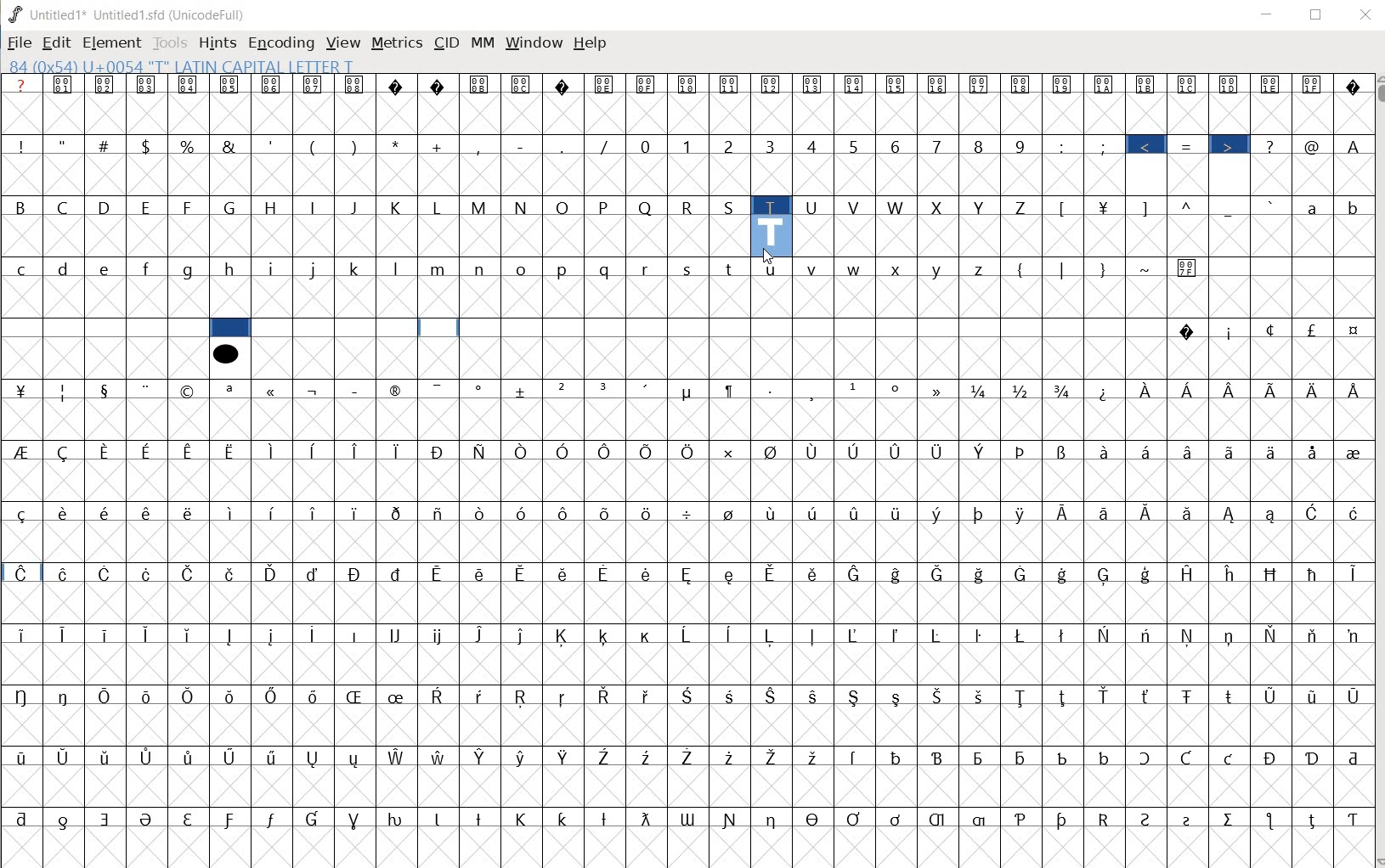 The height and width of the screenshot is (868, 1385). What do you see at coordinates (771, 695) in the screenshot?
I see `Symbol` at bounding box center [771, 695].